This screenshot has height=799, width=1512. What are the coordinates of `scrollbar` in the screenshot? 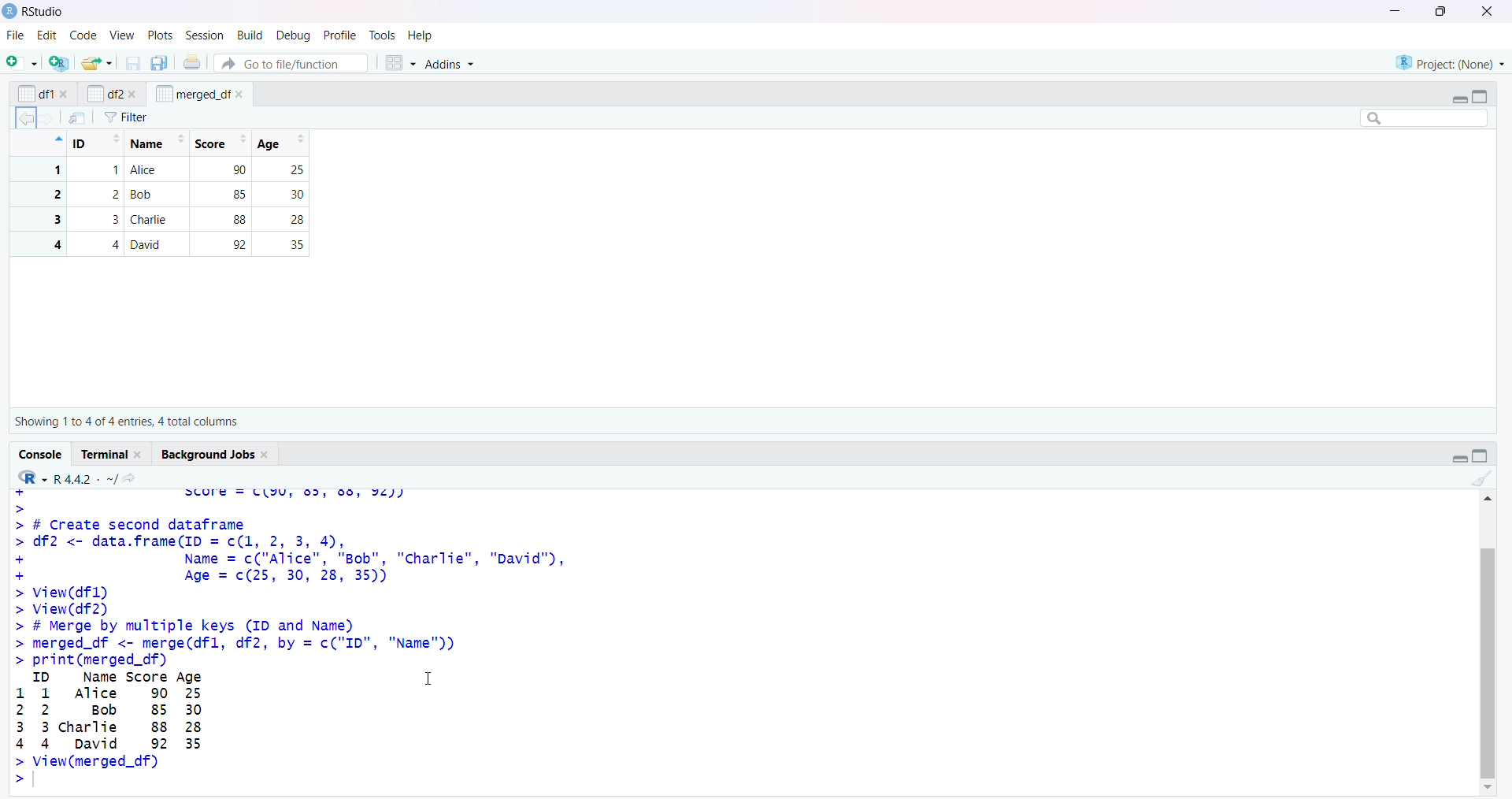 It's located at (1488, 656).